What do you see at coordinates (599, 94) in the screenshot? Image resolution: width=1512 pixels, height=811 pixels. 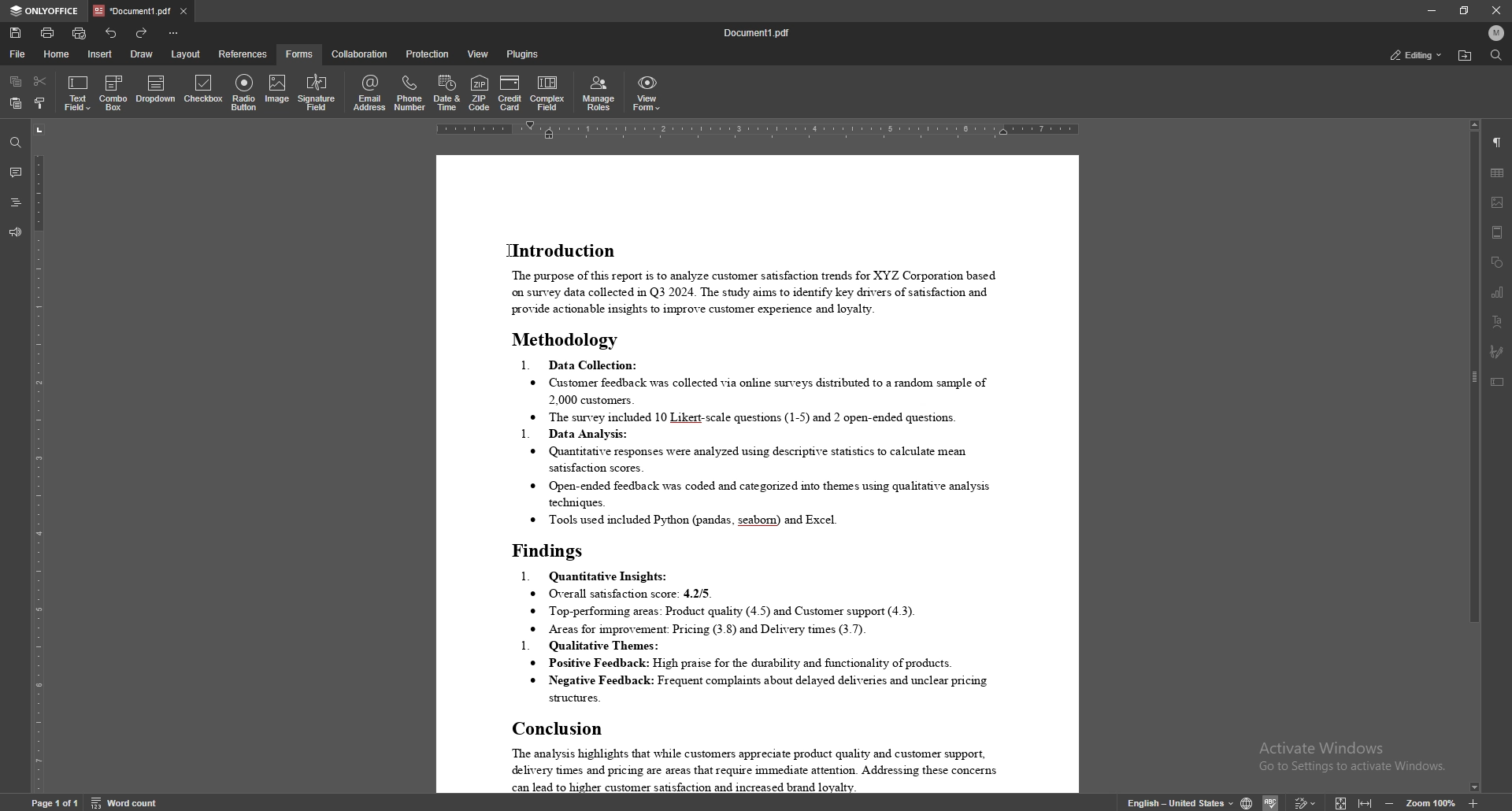 I see `manage roles` at bounding box center [599, 94].